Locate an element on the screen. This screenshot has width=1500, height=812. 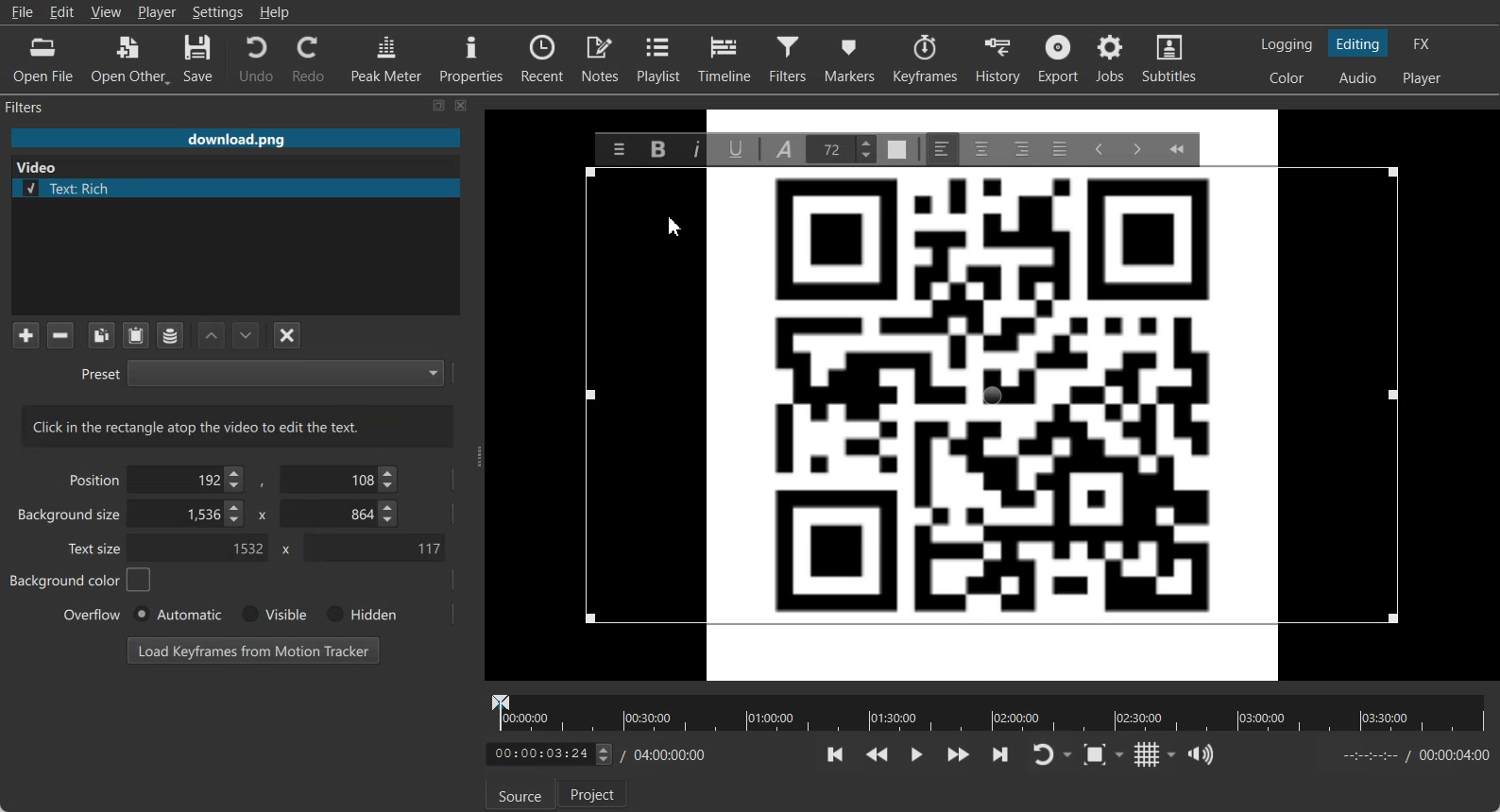
Maximize is located at coordinates (439, 105).